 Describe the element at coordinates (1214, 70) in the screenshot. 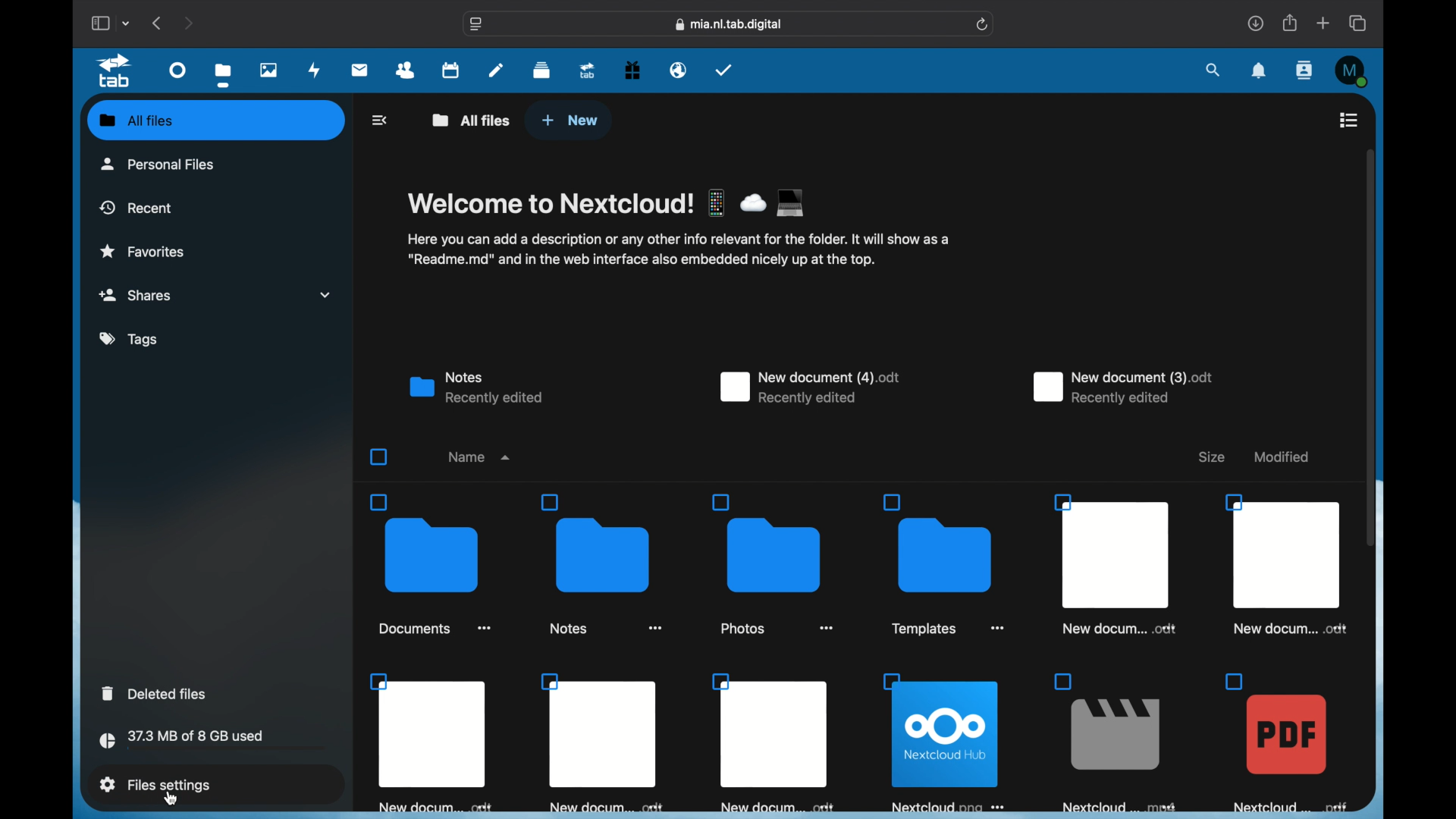

I see `search` at that location.